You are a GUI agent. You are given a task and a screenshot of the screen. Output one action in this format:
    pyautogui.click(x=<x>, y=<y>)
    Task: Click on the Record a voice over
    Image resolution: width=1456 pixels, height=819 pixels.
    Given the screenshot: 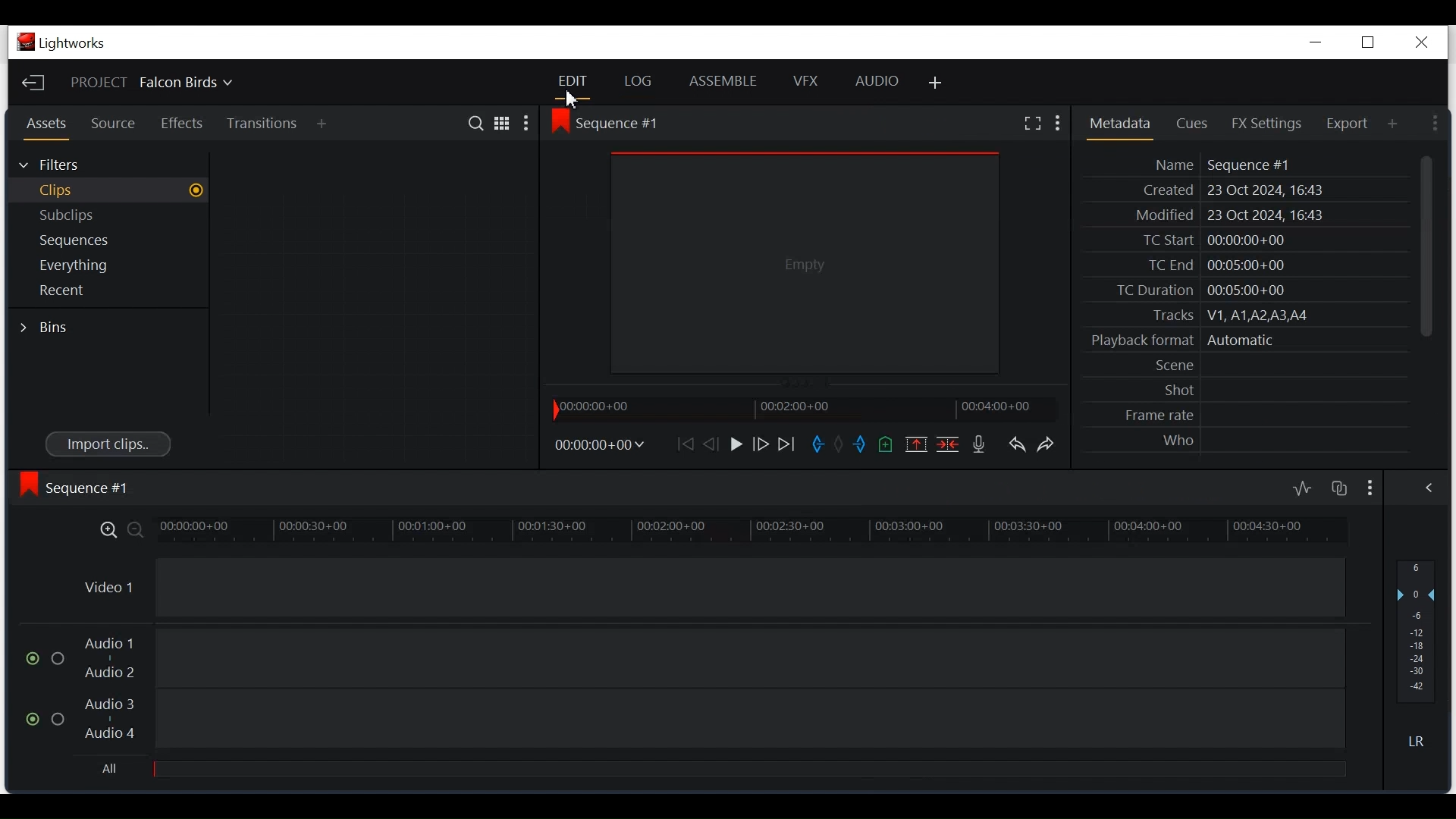 What is the action you would take?
    pyautogui.click(x=977, y=444)
    